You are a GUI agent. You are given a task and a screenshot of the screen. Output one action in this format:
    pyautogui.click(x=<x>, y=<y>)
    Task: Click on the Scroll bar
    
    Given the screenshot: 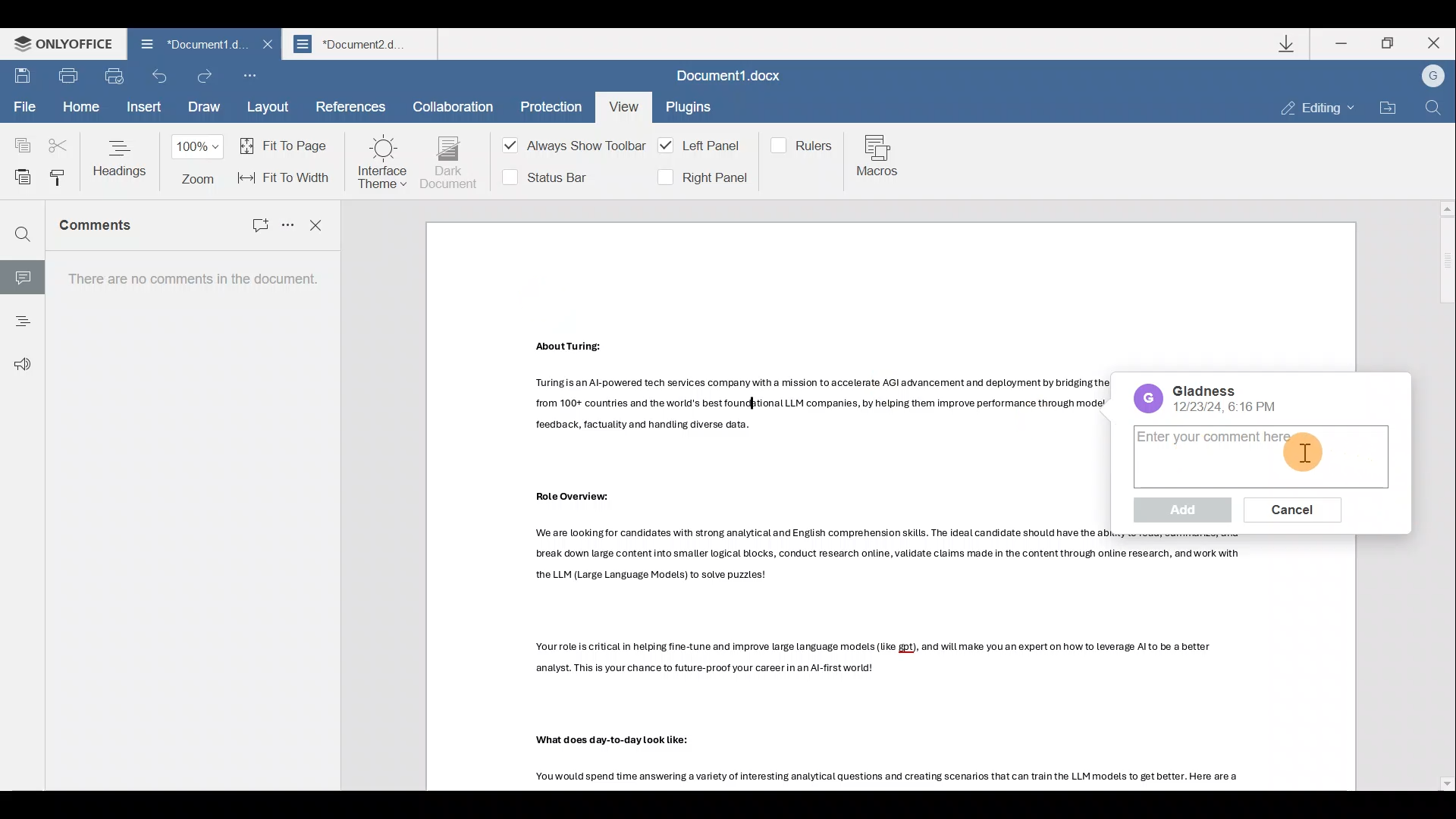 What is the action you would take?
    pyautogui.click(x=1442, y=496)
    